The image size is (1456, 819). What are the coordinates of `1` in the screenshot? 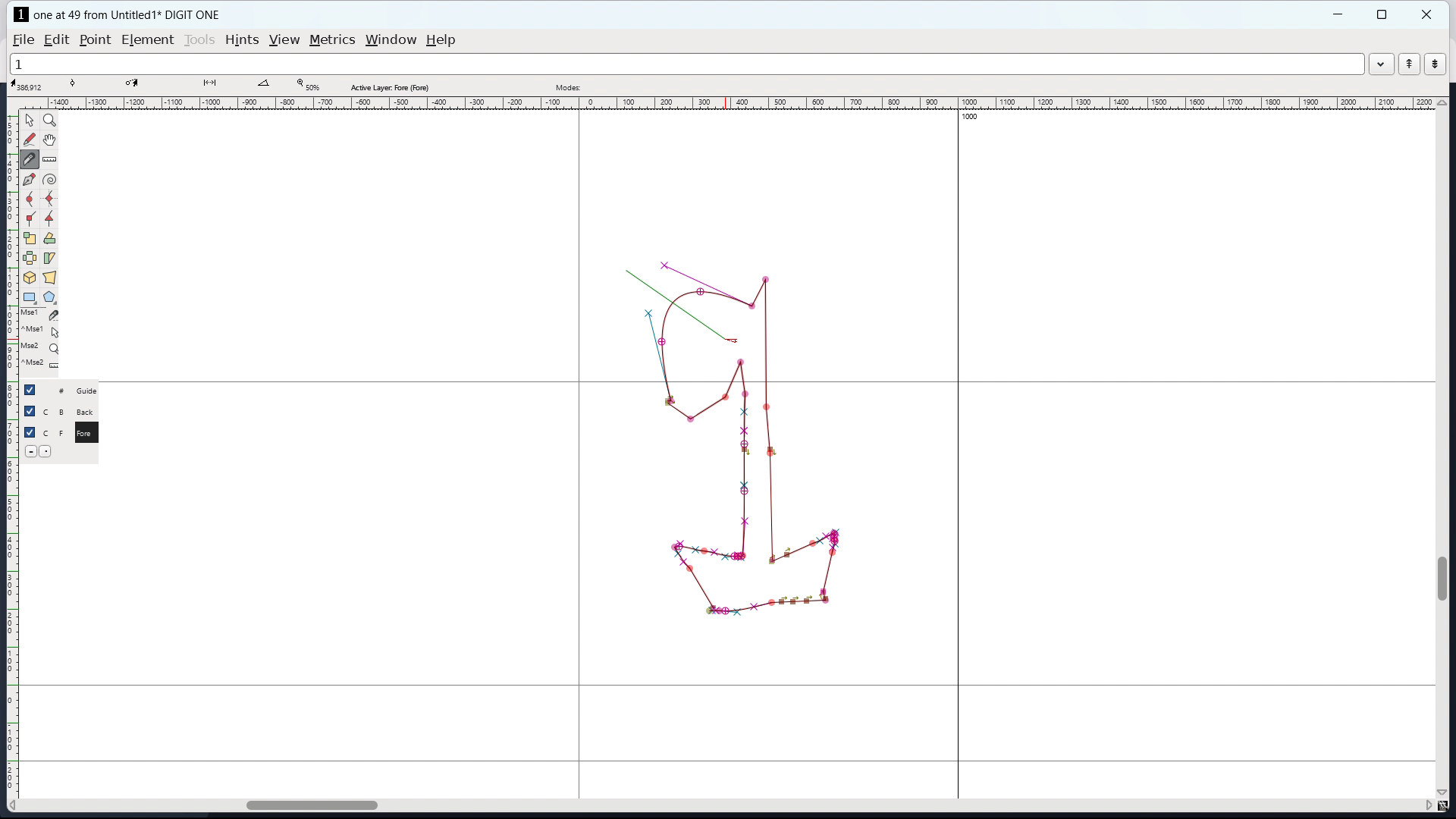 It's located at (686, 64).